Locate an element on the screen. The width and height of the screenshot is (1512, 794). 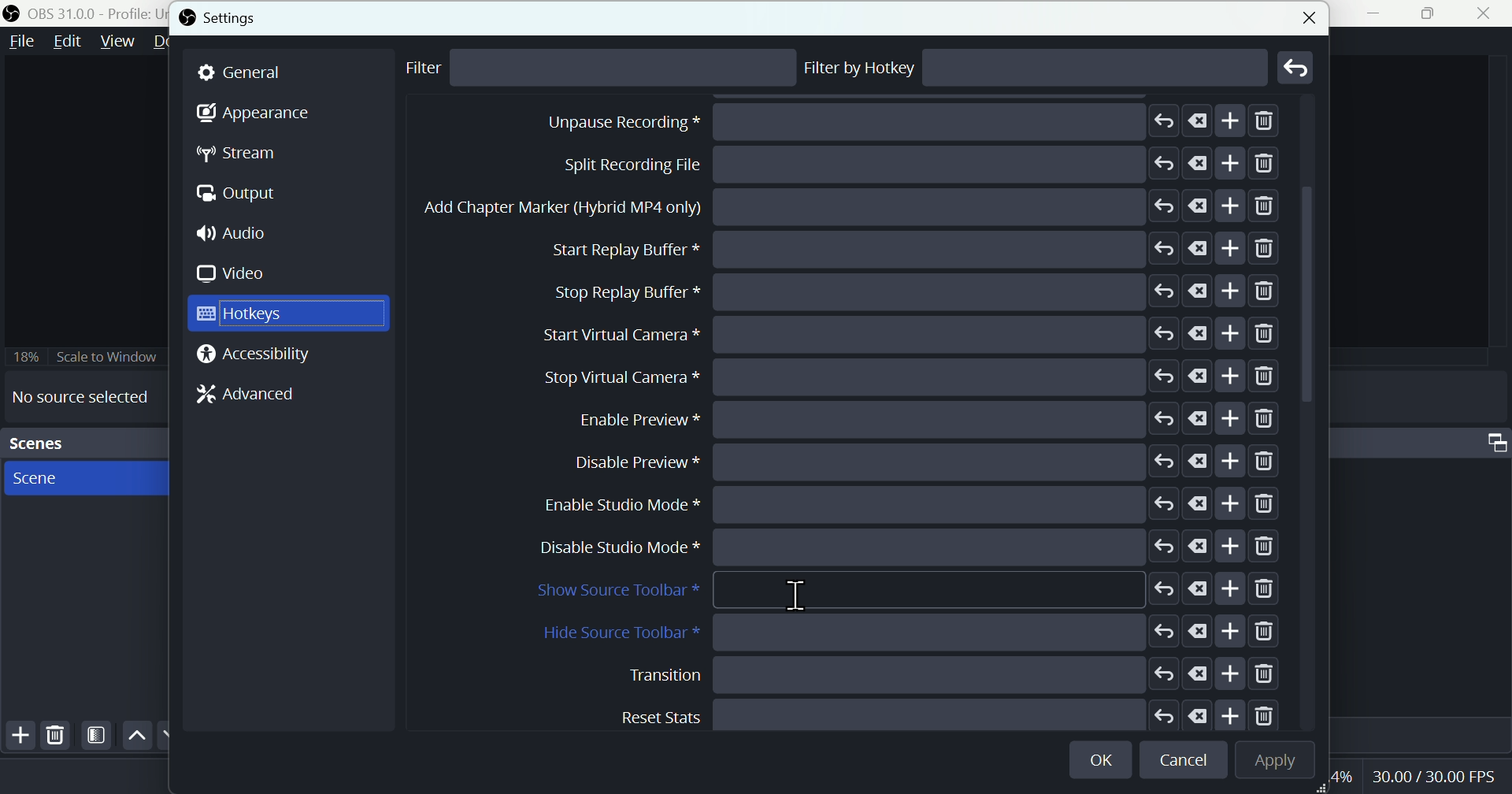
Pause recording is located at coordinates (905, 249).